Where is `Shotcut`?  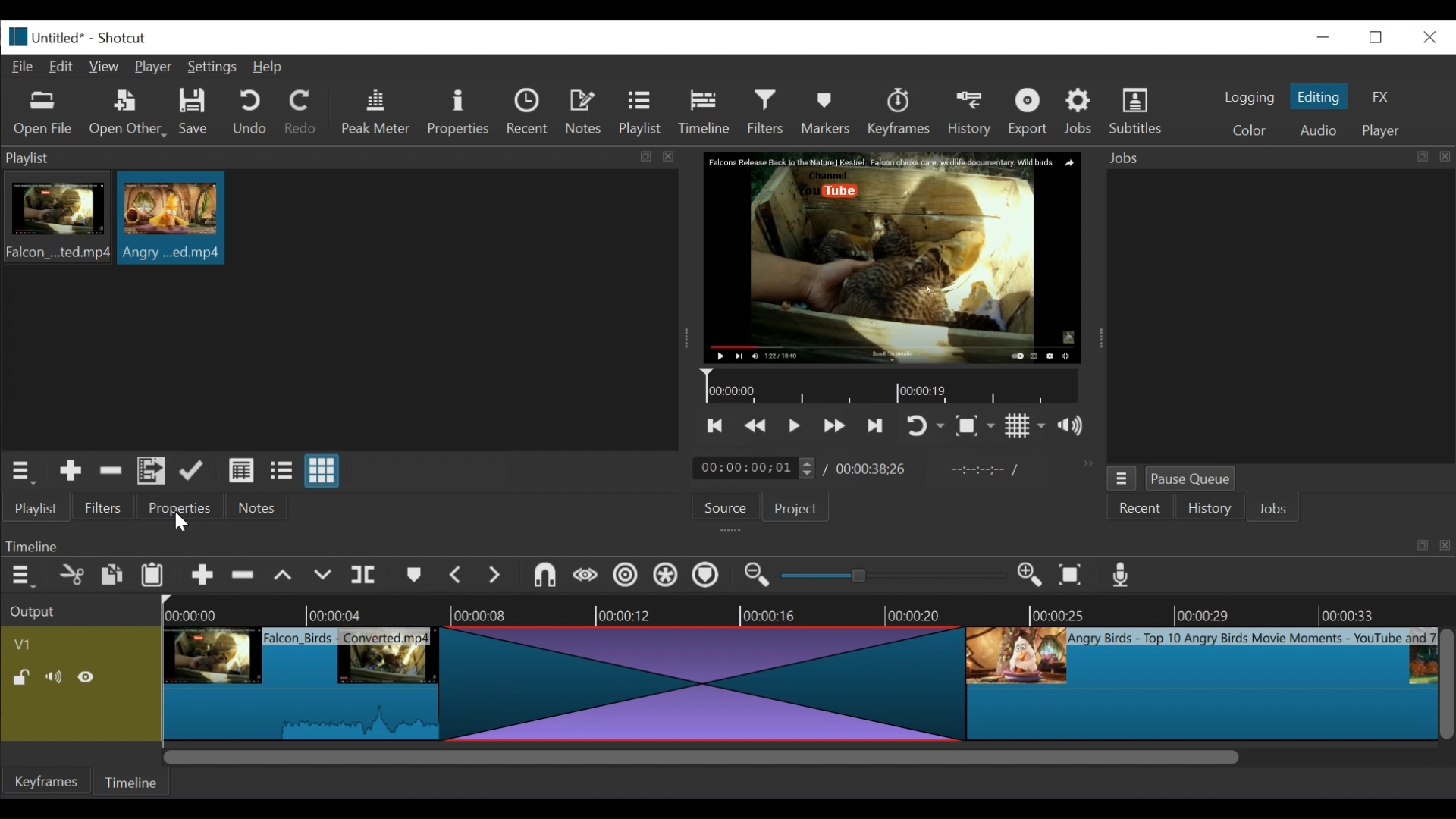
Shotcut is located at coordinates (121, 39).